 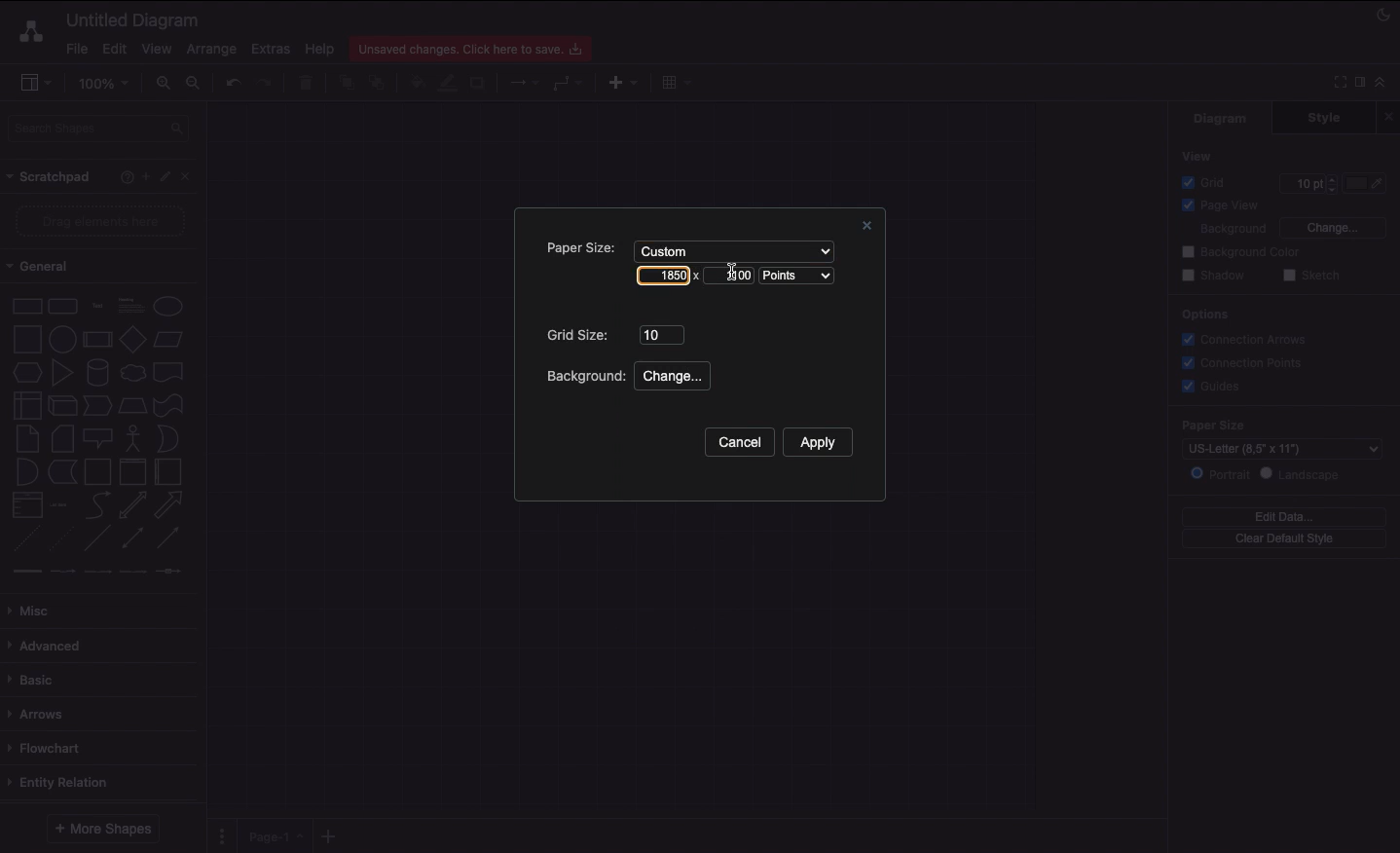 What do you see at coordinates (62, 572) in the screenshot?
I see `connector 2` at bounding box center [62, 572].